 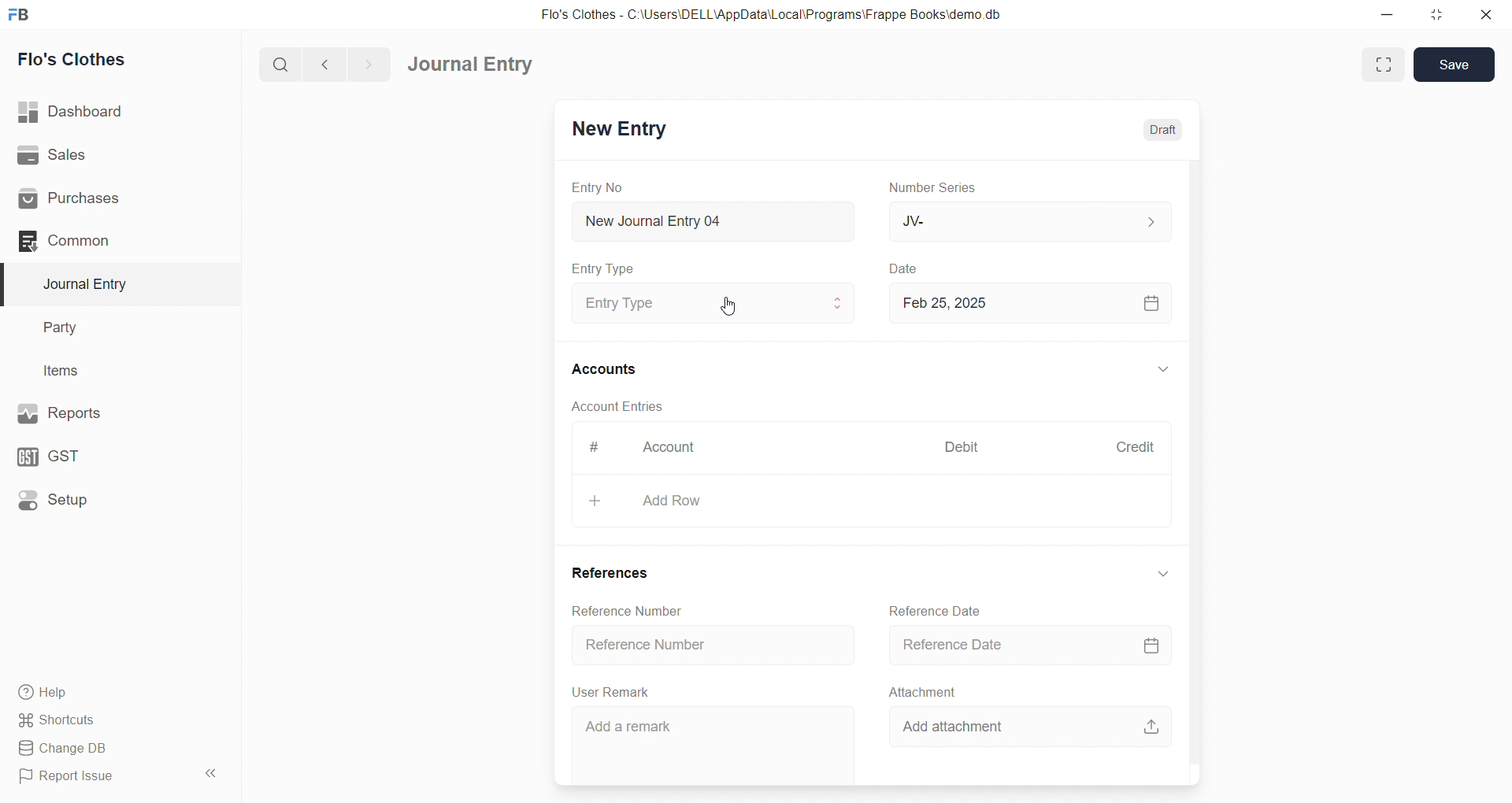 I want to click on Scroll bar, so click(x=1203, y=450).